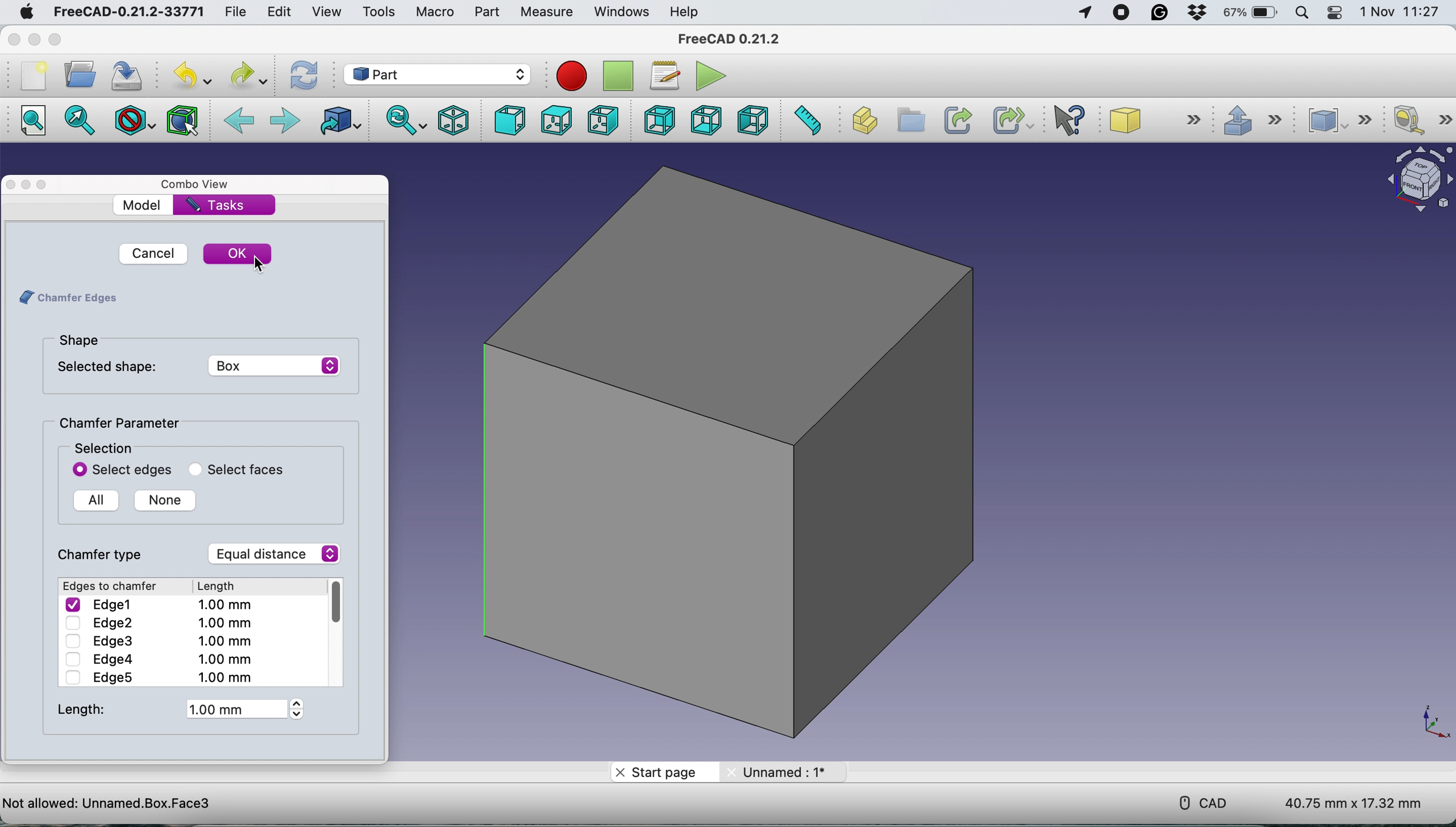 This screenshot has height=827, width=1456. Describe the element at coordinates (490, 11) in the screenshot. I see `part` at that location.